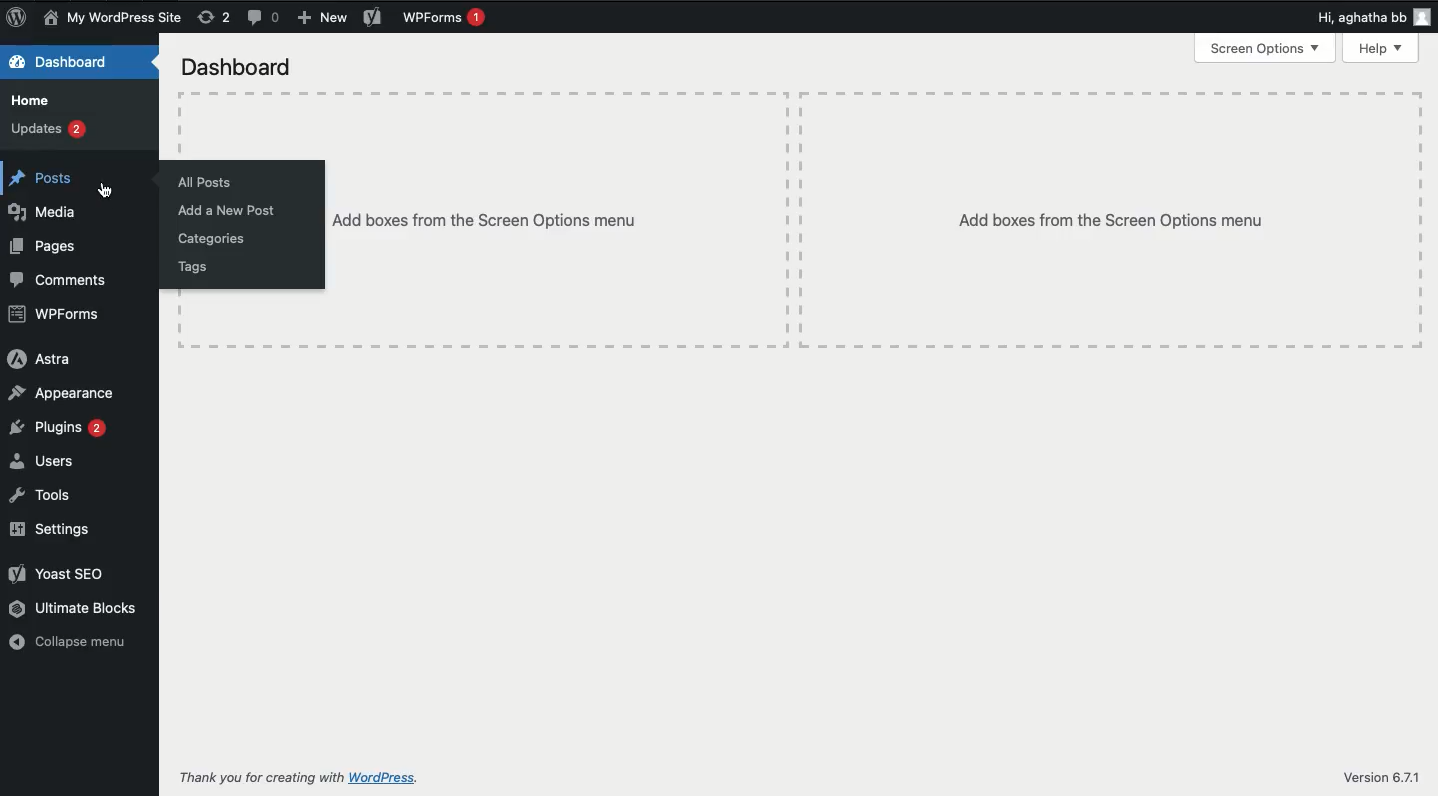  What do you see at coordinates (387, 777) in the screenshot?
I see `wordpress` at bounding box center [387, 777].